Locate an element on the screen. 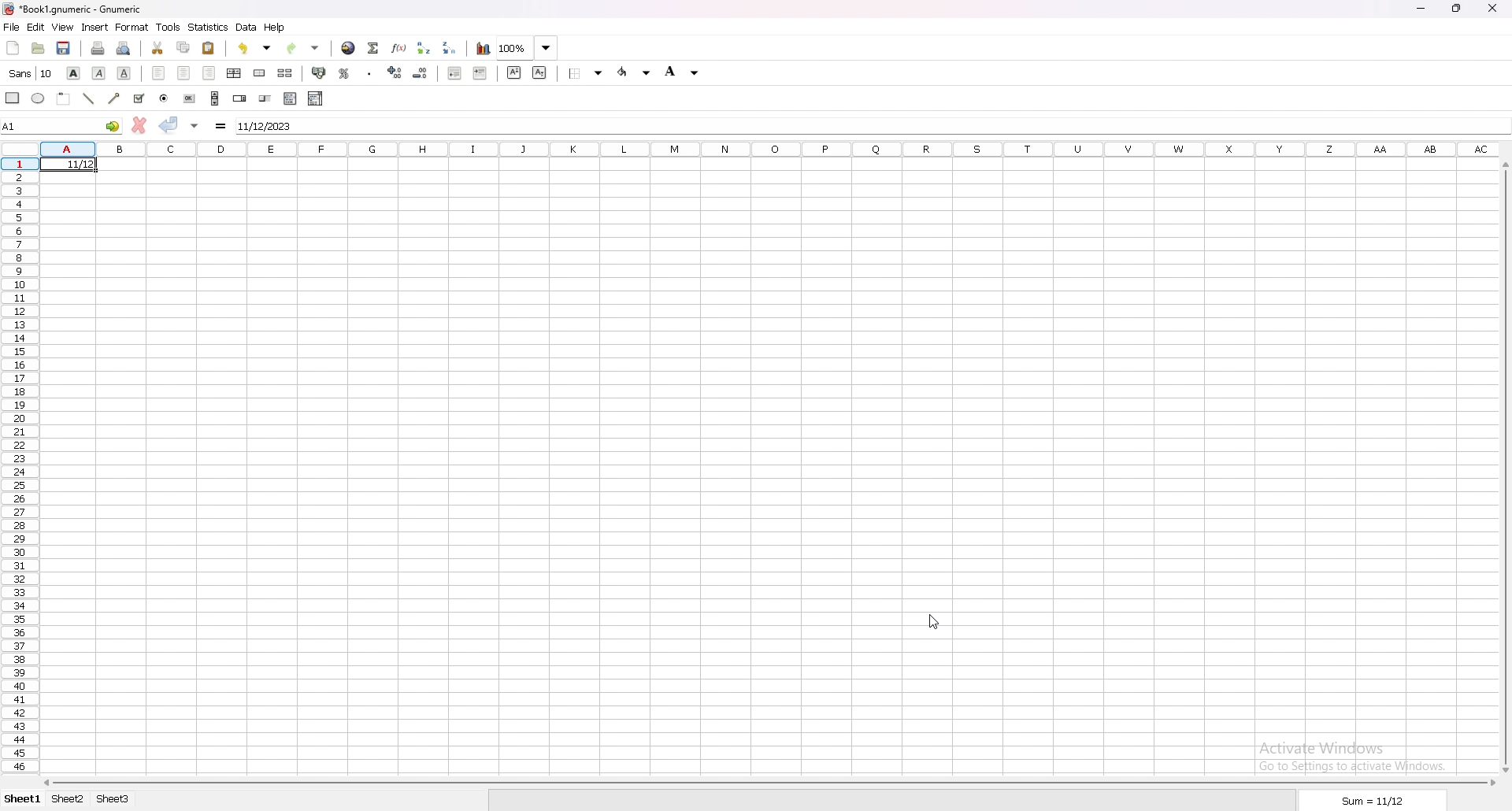 This screenshot has width=1512, height=811. save is located at coordinates (63, 48).